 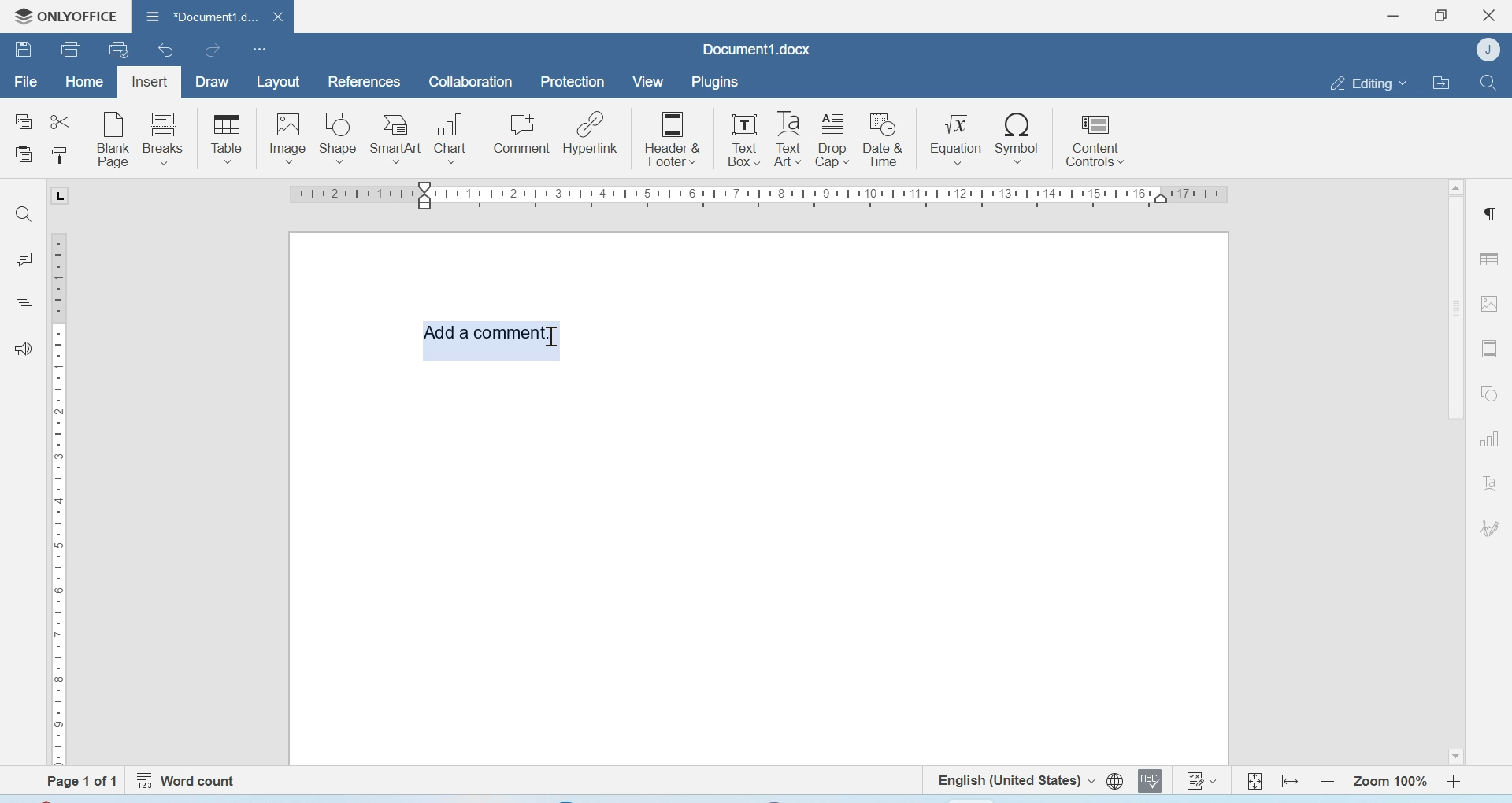 I want to click on Spell checking, so click(x=1150, y=780).